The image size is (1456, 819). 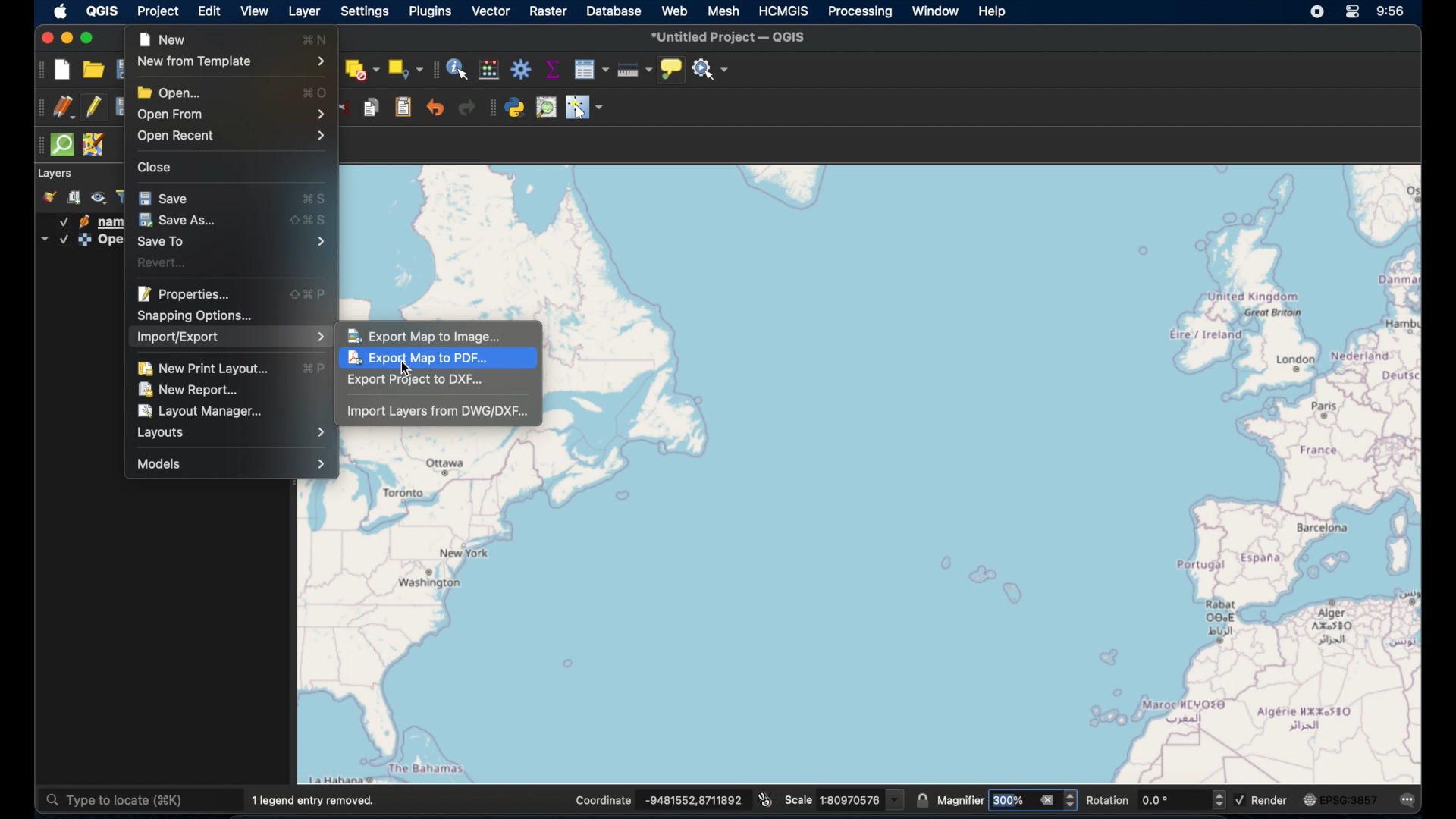 I want to click on osm place search, so click(x=546, y=108).